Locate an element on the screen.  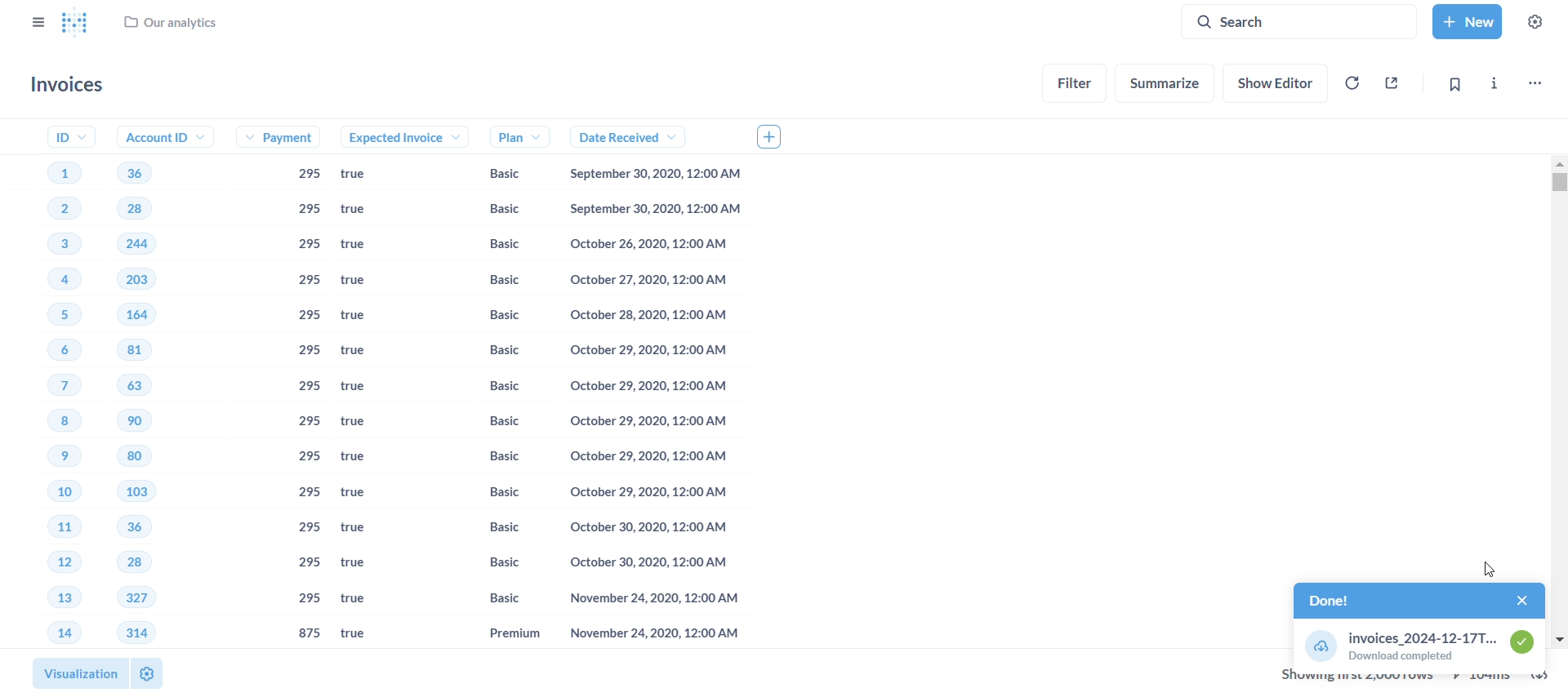
more options is located at coordinates (1534, 81).